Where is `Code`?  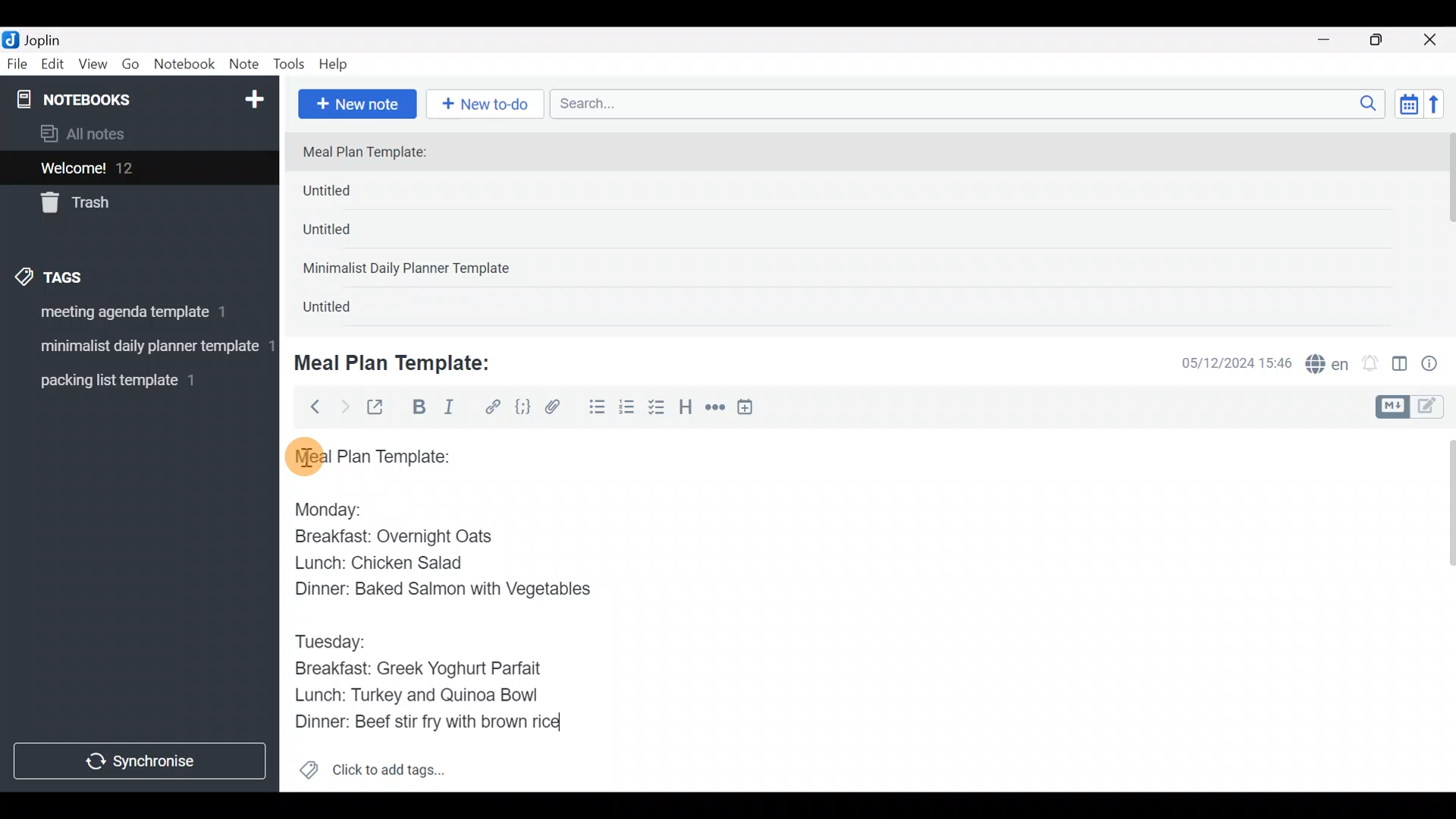
Code is located at coordinates (521, 406).